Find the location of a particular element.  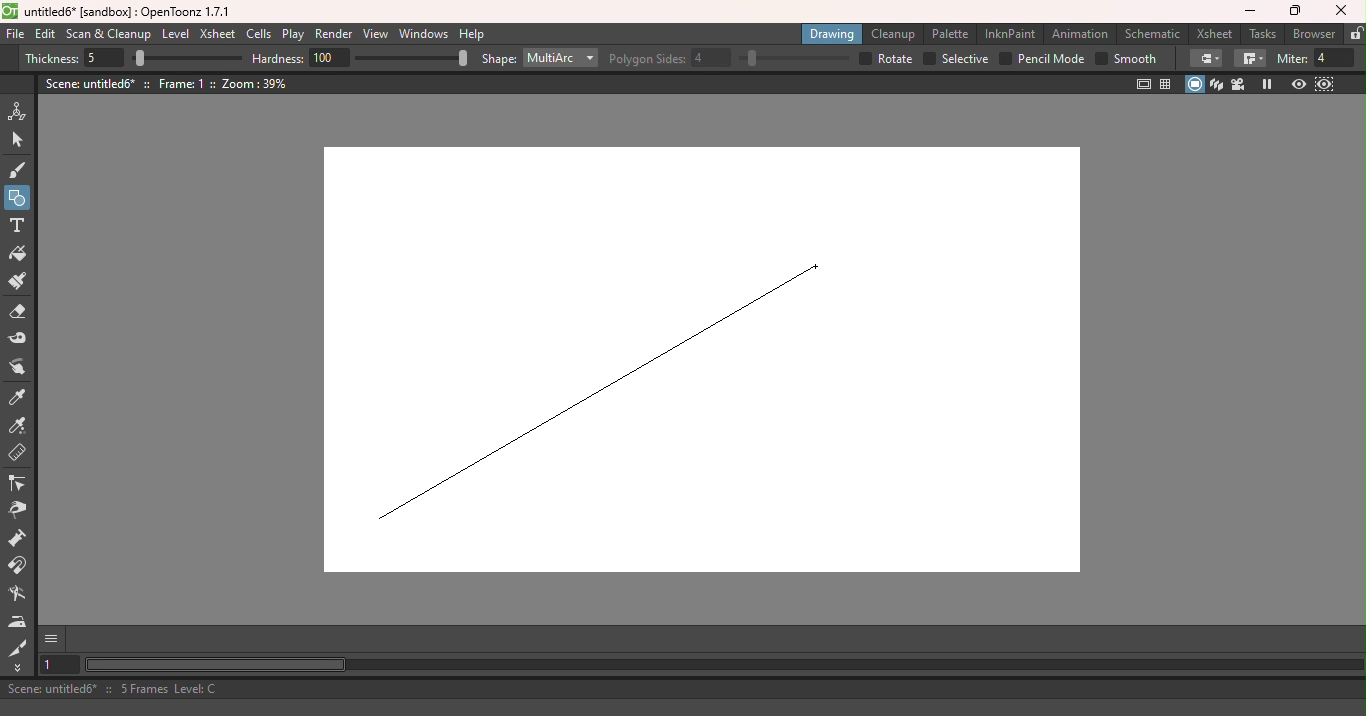

Preview is located at coordinates (1298, 85).